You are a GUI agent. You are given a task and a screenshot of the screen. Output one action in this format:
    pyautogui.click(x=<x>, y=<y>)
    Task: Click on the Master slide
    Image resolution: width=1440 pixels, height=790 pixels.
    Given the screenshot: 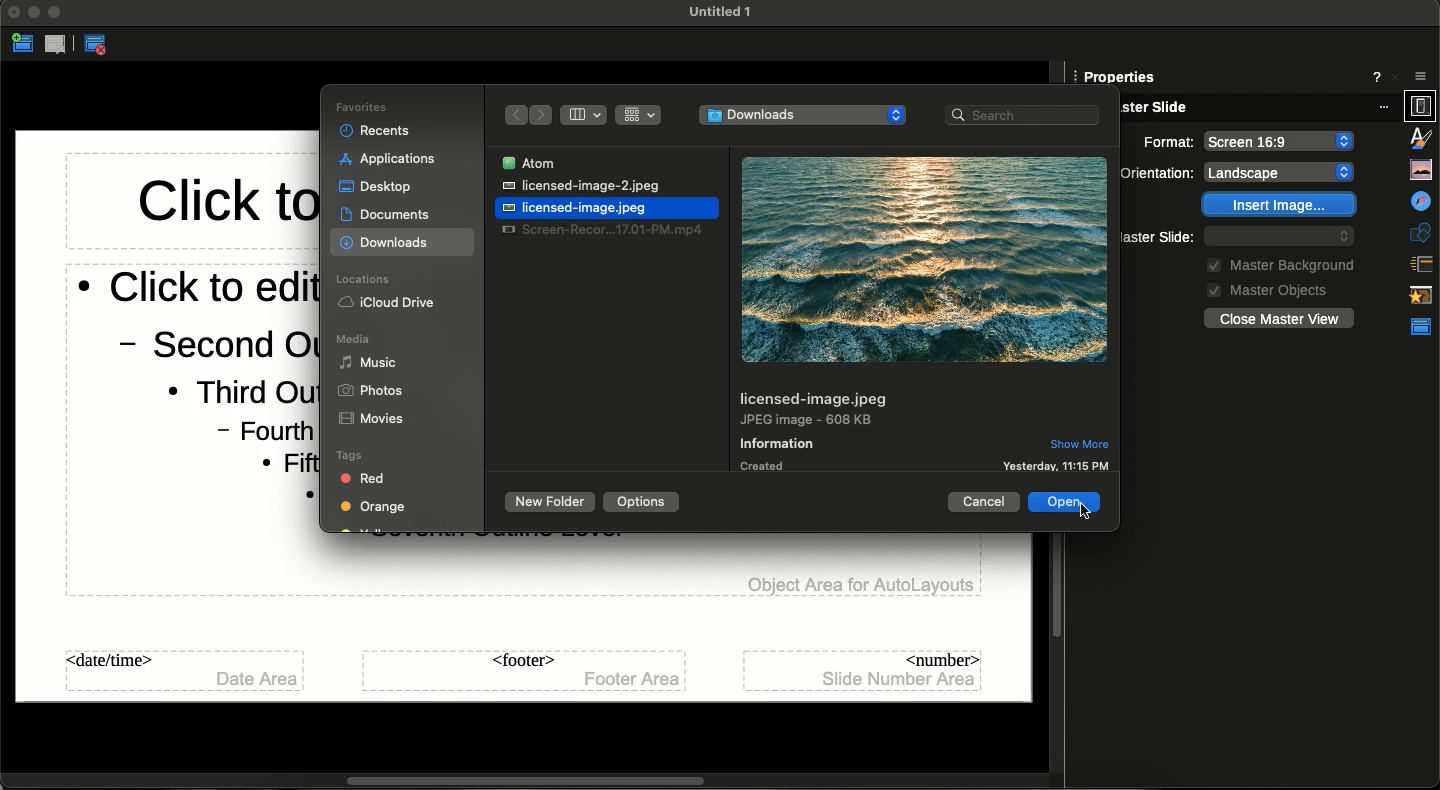 What is the action you would take?
    pyautogui.click(x=1255, y=108)
    